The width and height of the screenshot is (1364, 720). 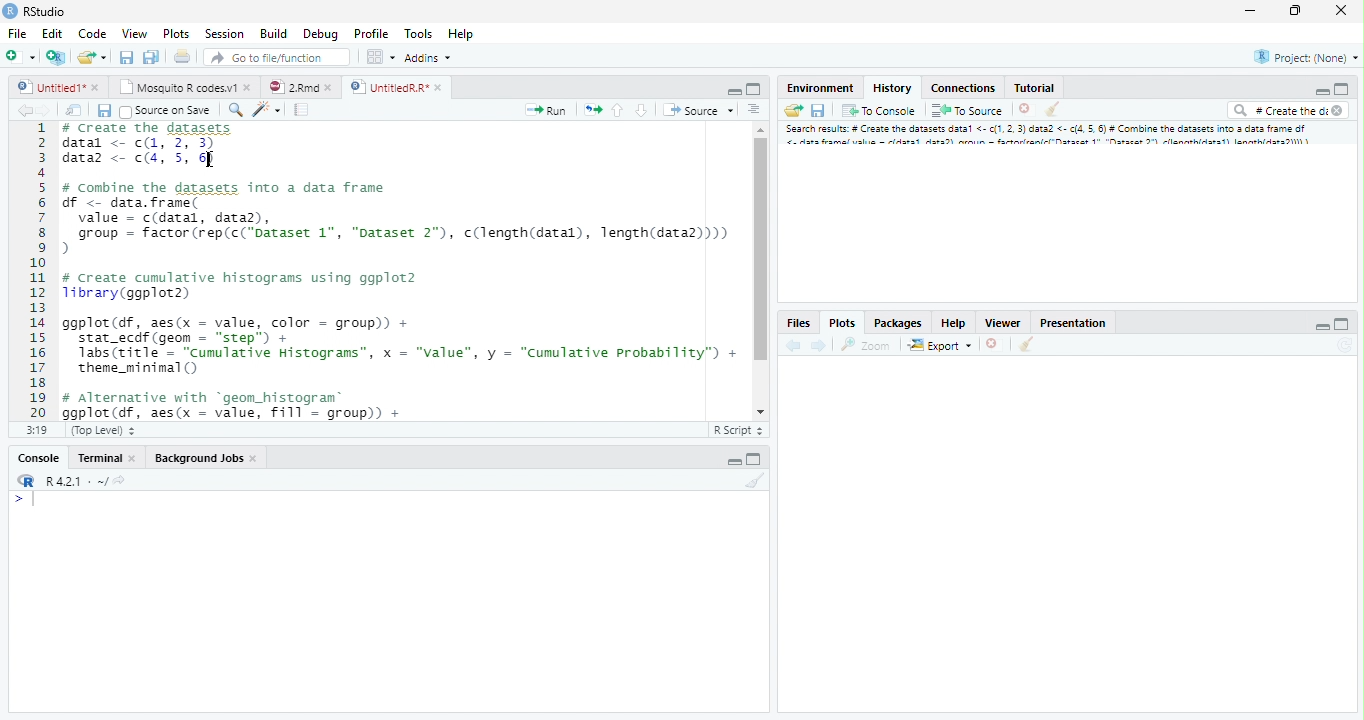 What do you see at coordinates (968, 110) in the screenshot?
I see `To Source` at bounding box center [968, 110].